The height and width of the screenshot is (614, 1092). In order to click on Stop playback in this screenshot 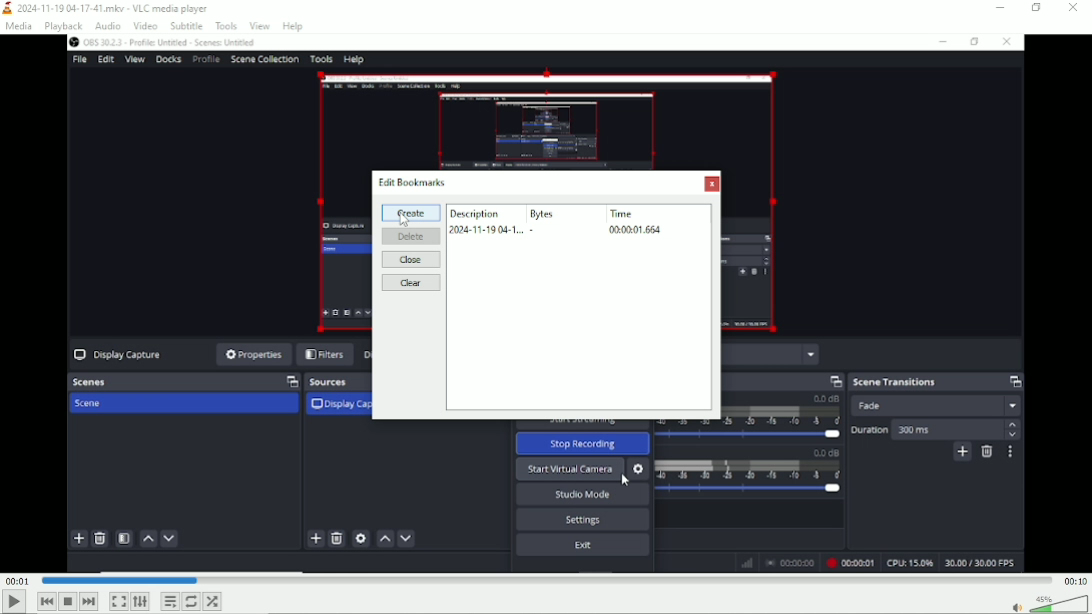, I will do `click(68, 601)`.